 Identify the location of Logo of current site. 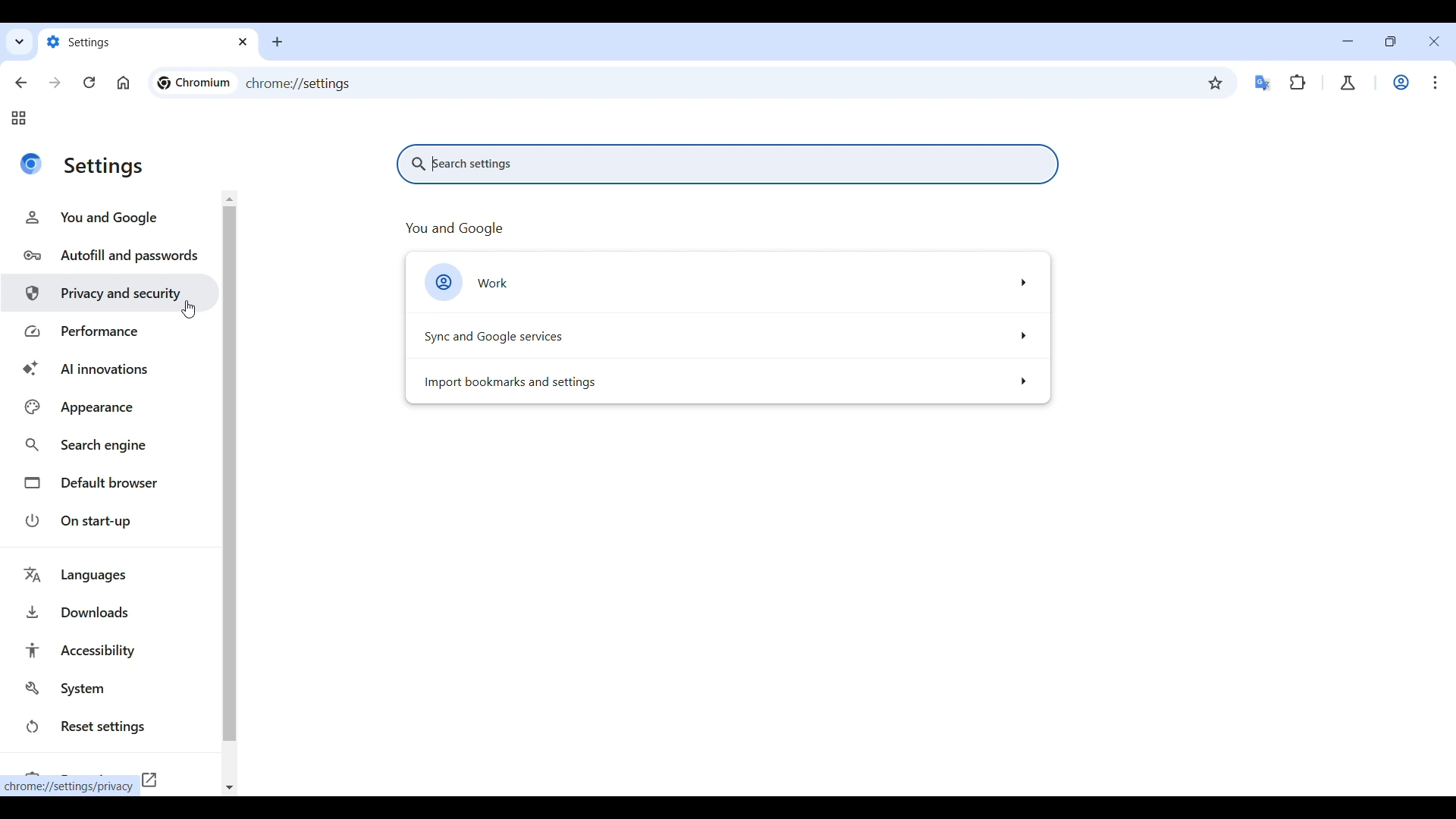
(31, 165).